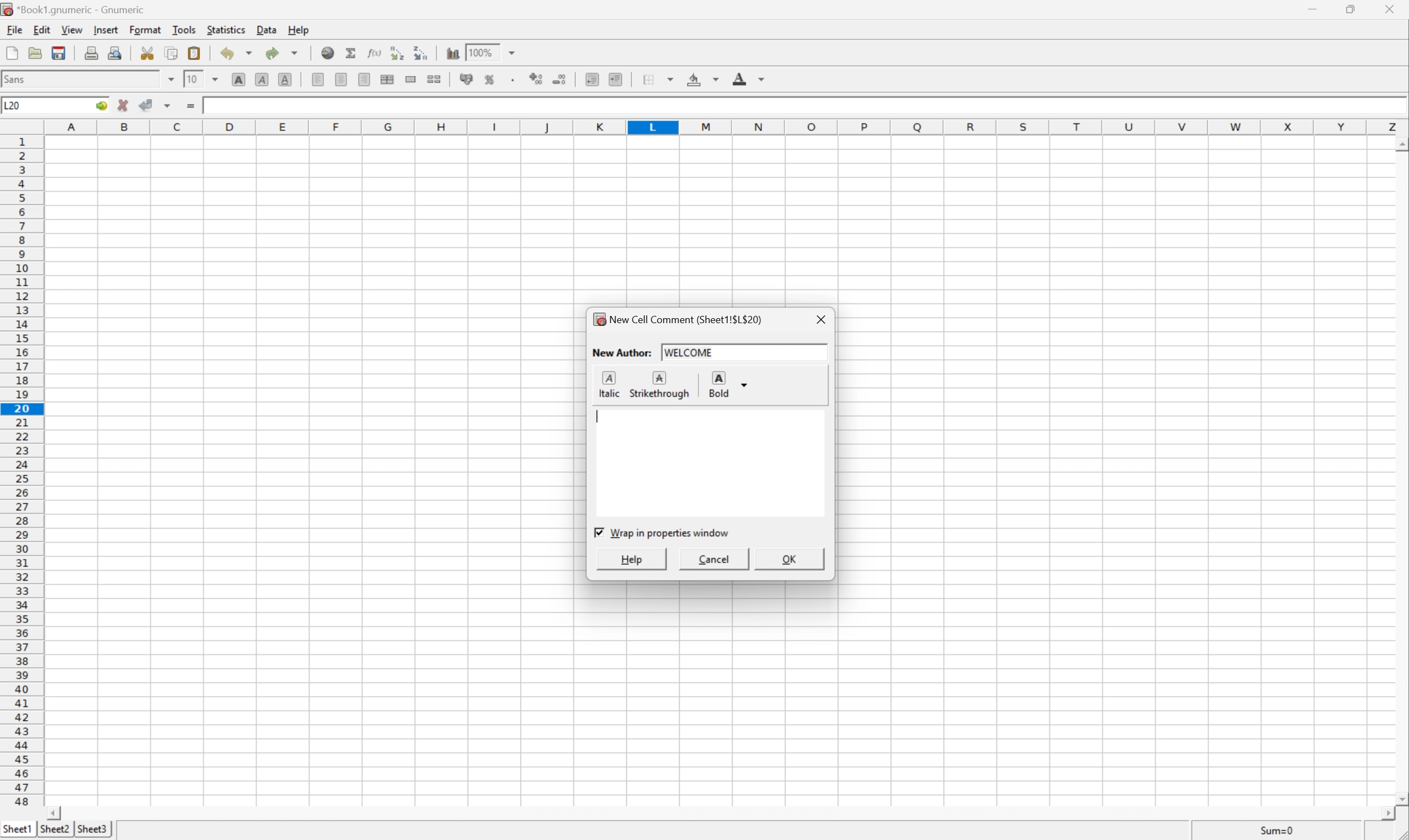  I want to click on Go To, so click(101, 106).